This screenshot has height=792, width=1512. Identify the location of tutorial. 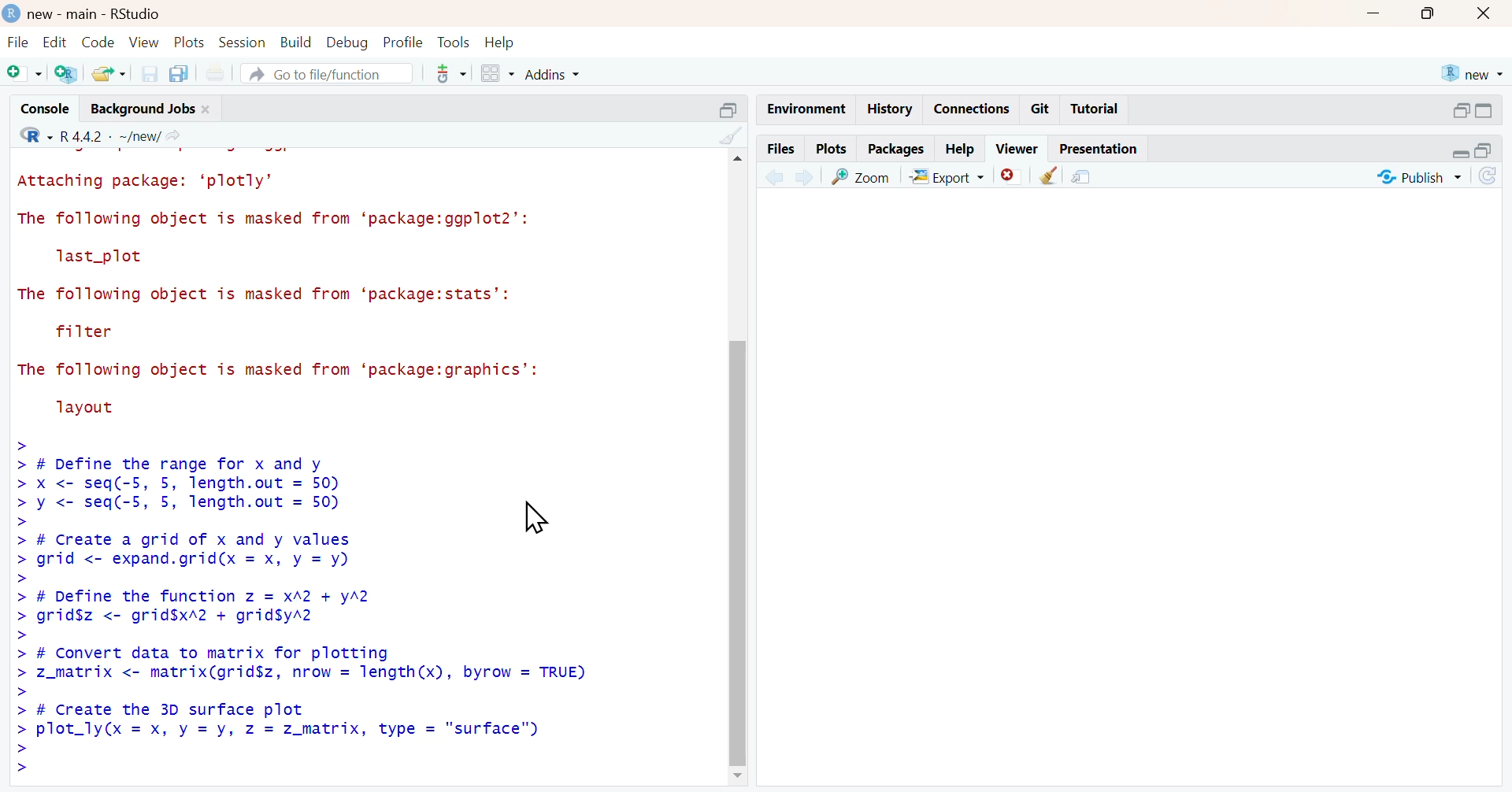
(1095, 111).